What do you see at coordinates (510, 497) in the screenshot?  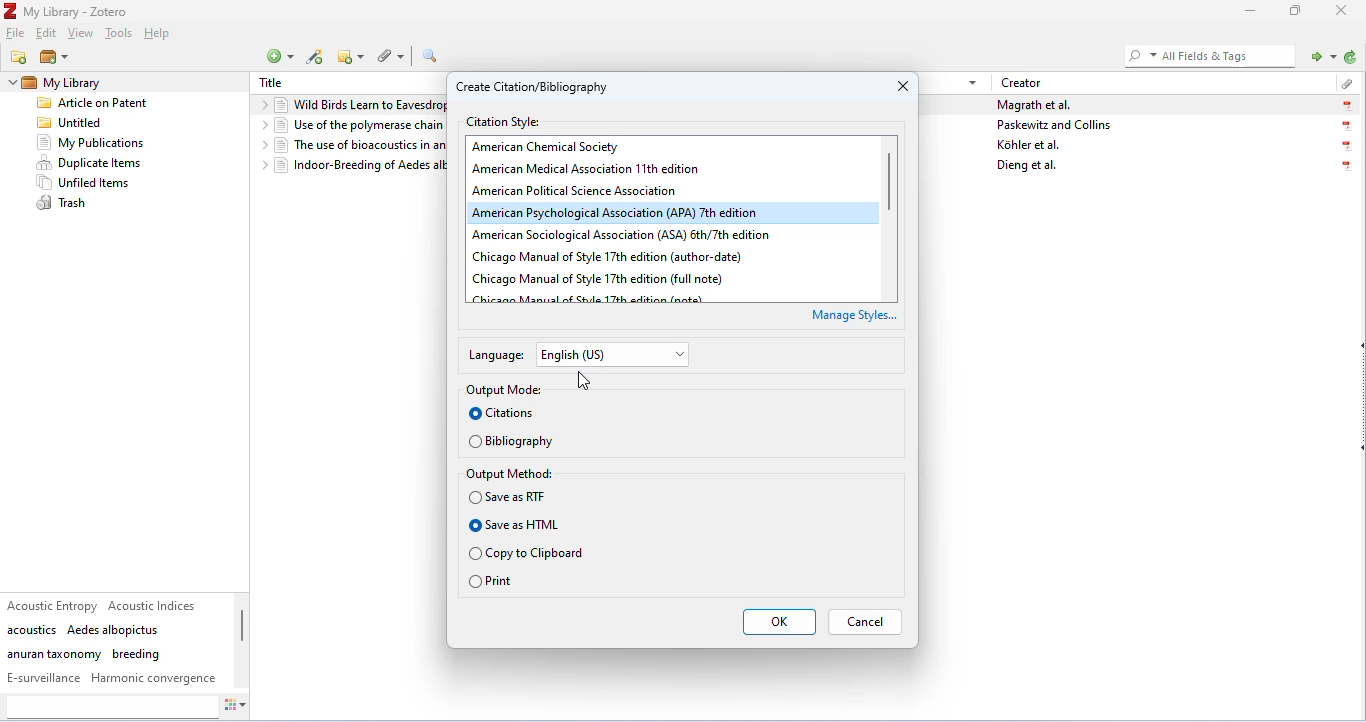 I see `save as RTF` at bounding box center [510, 497].